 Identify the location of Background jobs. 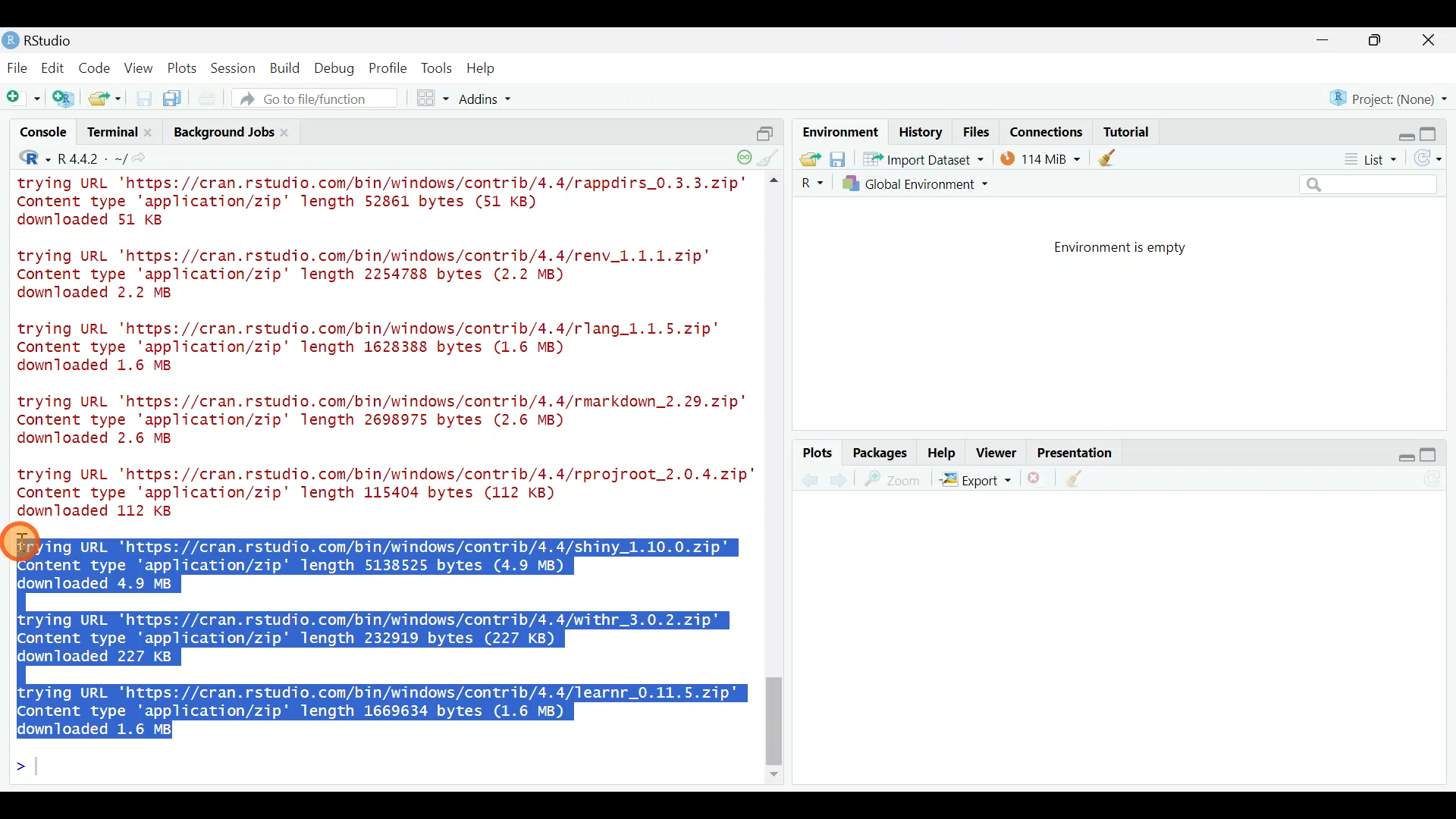
(221, 132).